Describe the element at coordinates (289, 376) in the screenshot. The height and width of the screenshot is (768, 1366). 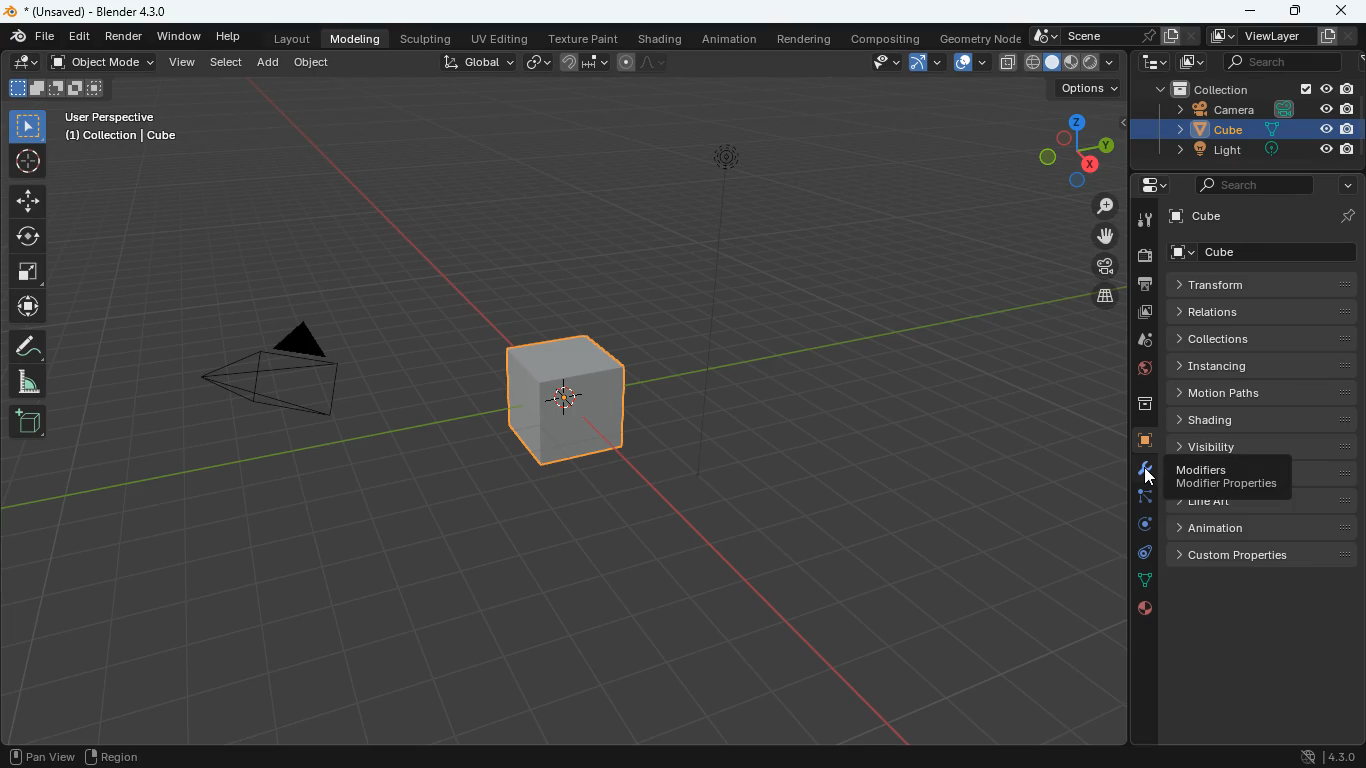
I see `camera` at that location.